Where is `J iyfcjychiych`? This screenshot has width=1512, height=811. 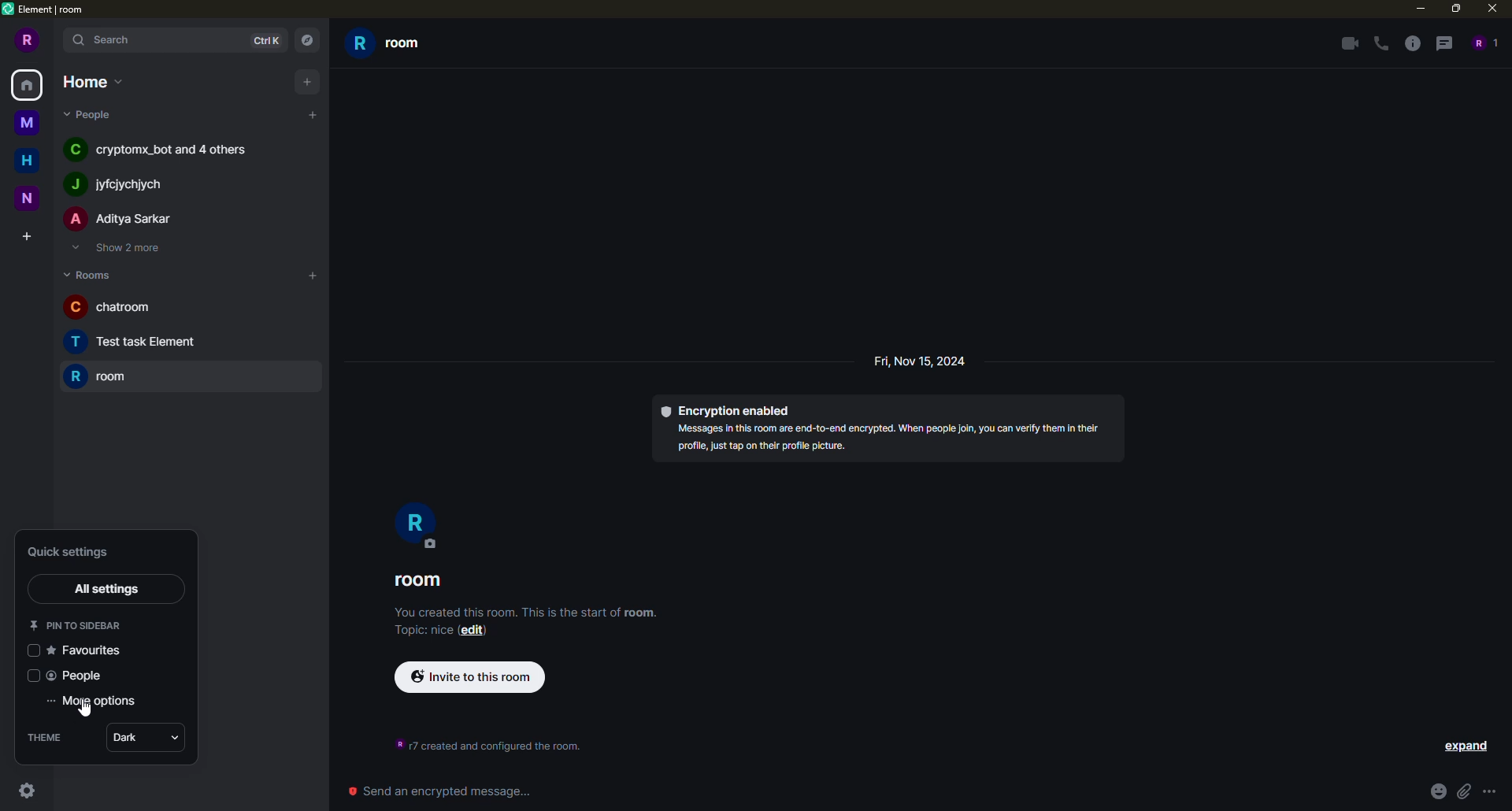
J iyfcjychiych is located at coordinates (129, 184).